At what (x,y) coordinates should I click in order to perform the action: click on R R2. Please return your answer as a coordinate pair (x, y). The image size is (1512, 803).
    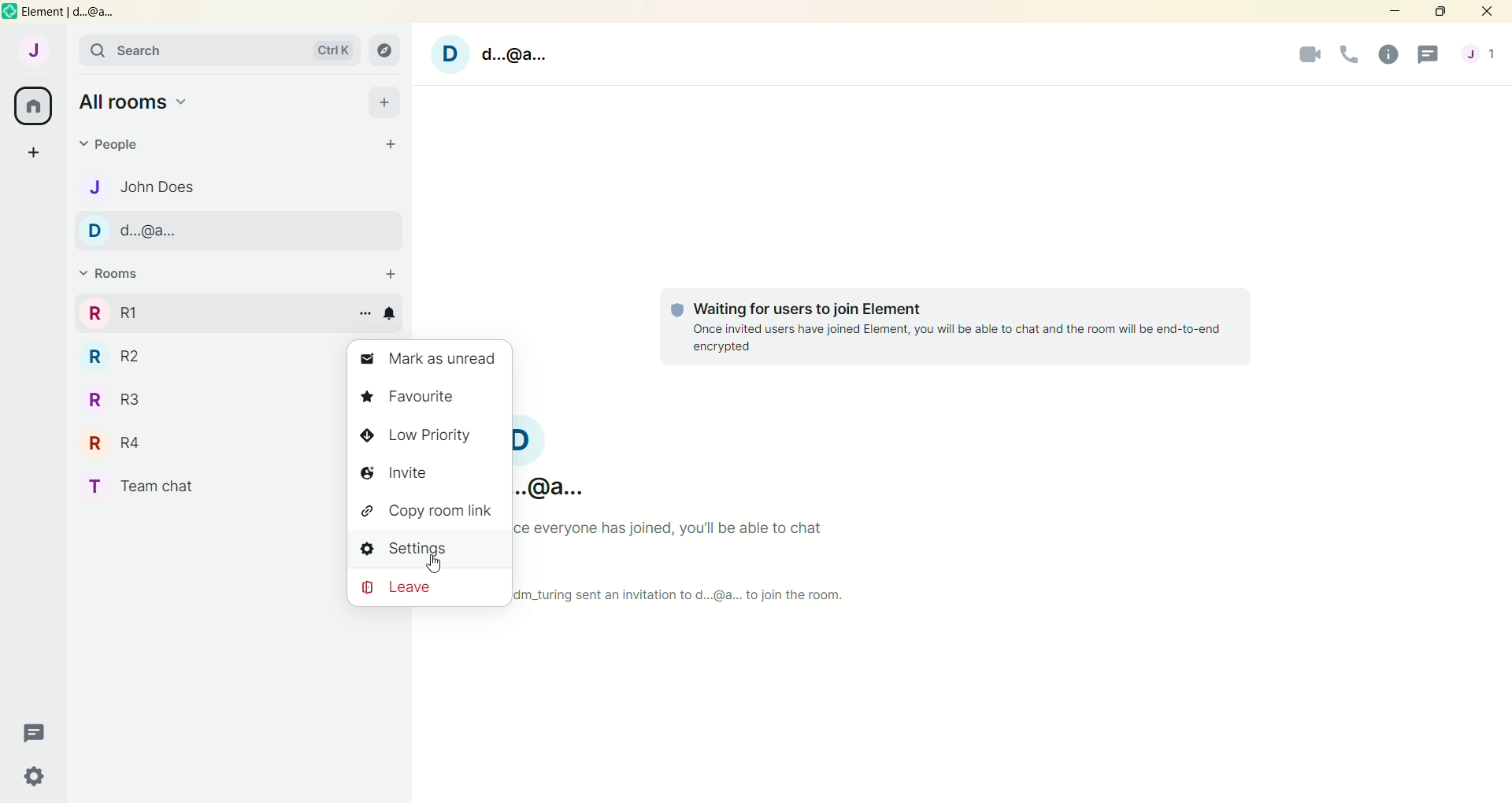
    Looking at the image, I should click on (131, 362).